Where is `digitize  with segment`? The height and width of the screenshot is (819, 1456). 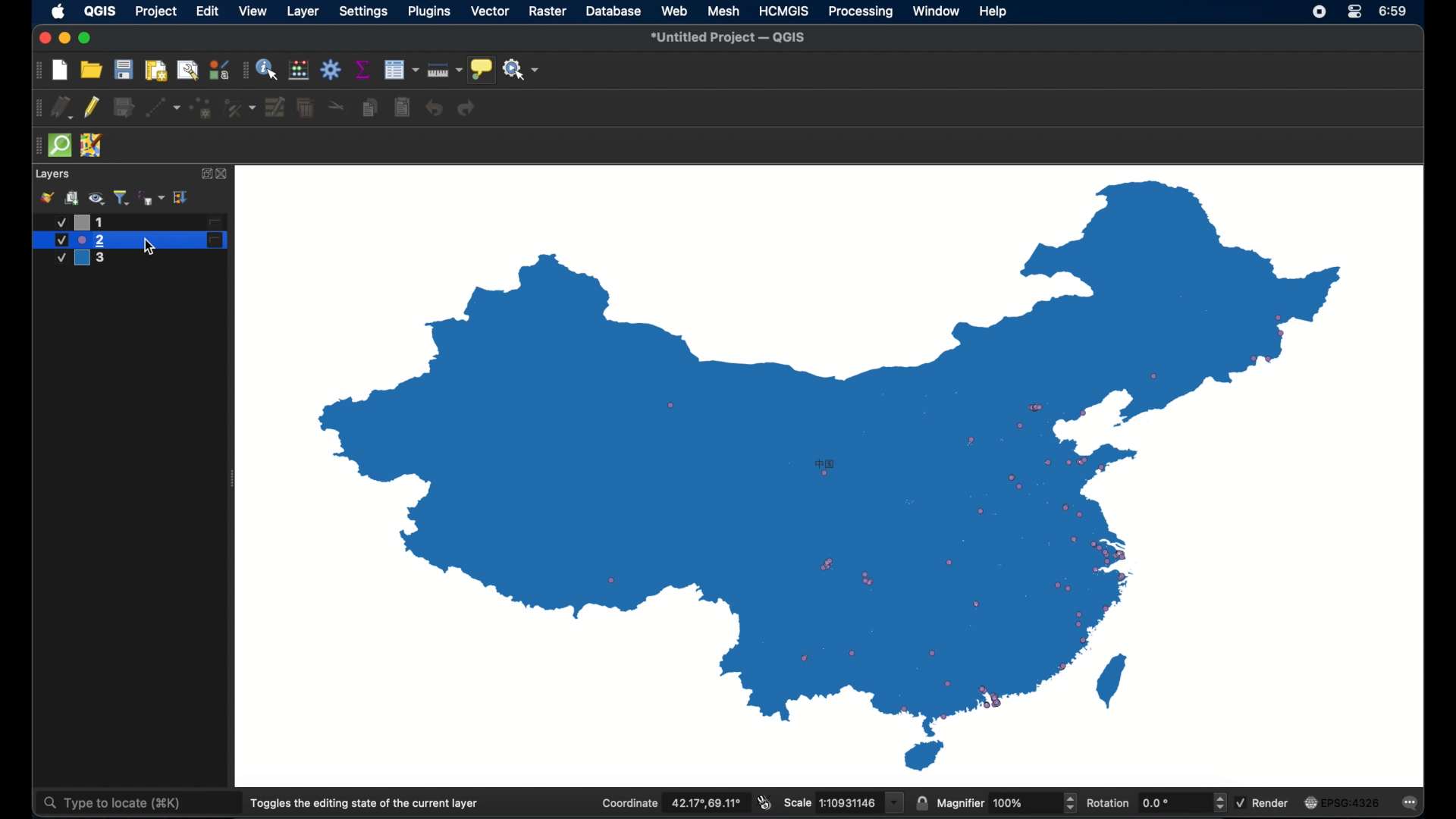 digitize  with segment is located at coordinates (163, 108).